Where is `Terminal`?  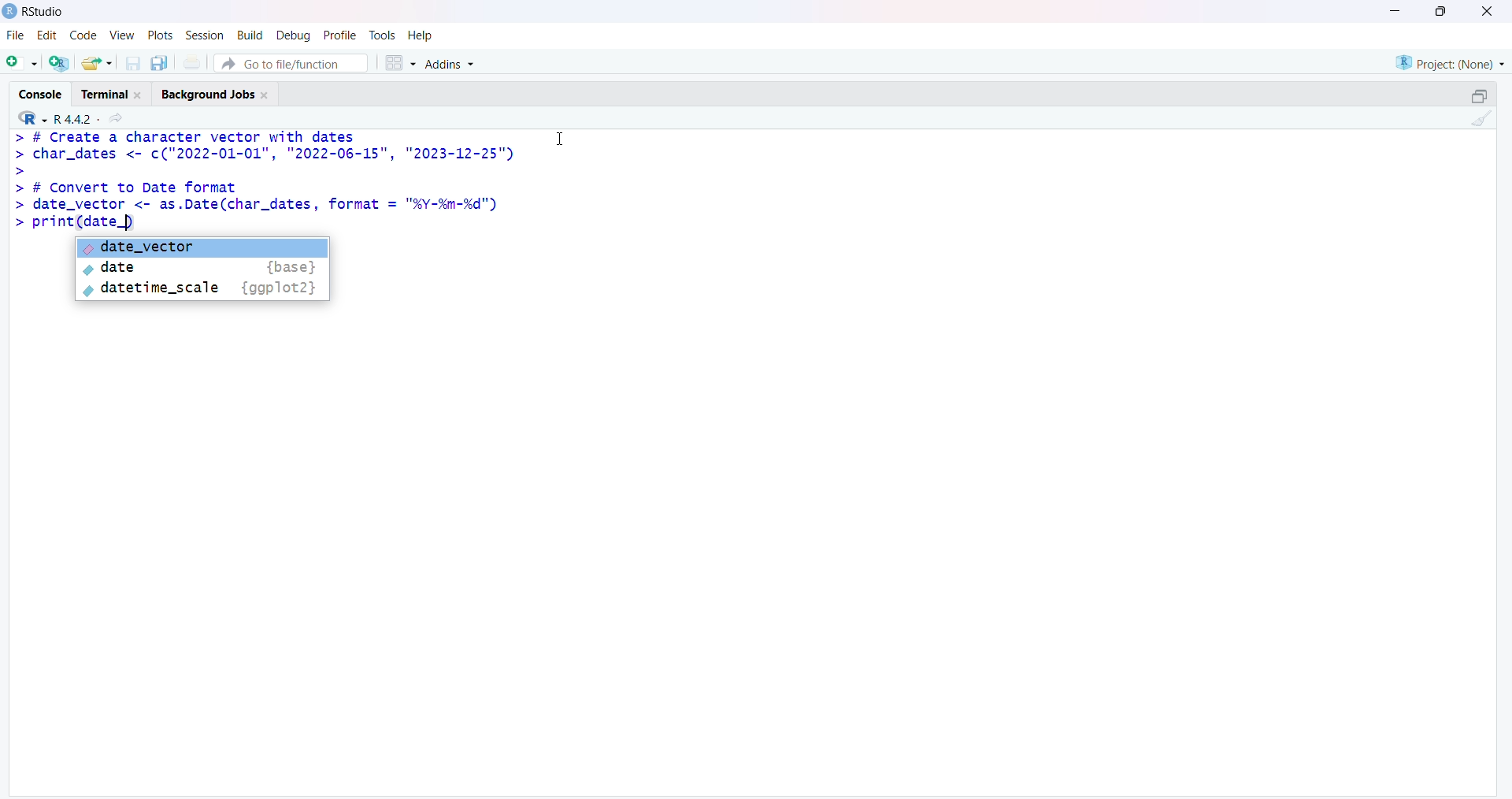
Terminal is located at coordinates (113, 91).